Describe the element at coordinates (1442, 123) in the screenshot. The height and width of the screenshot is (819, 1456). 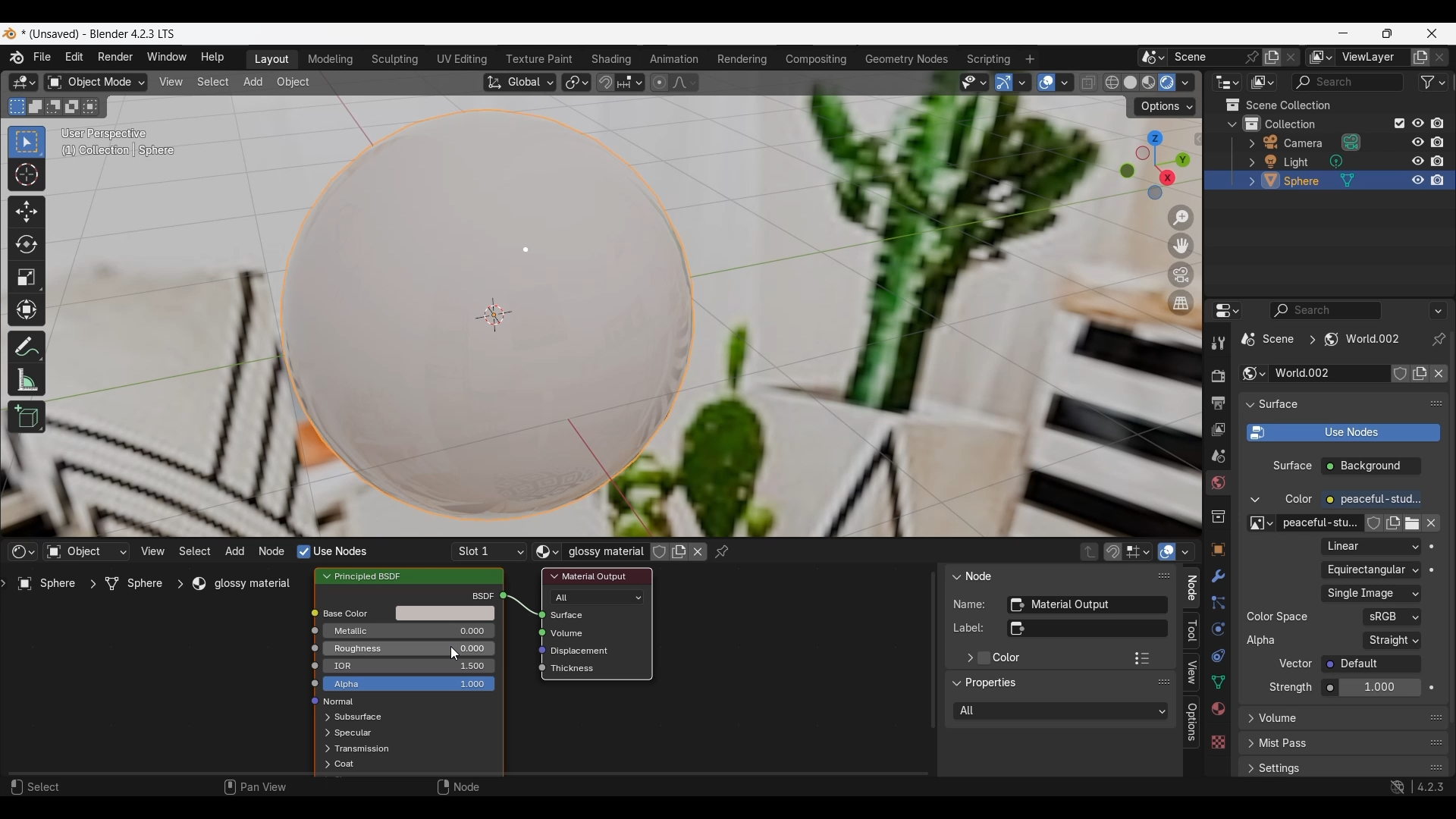
I see `Disable all respective renders` at that location.